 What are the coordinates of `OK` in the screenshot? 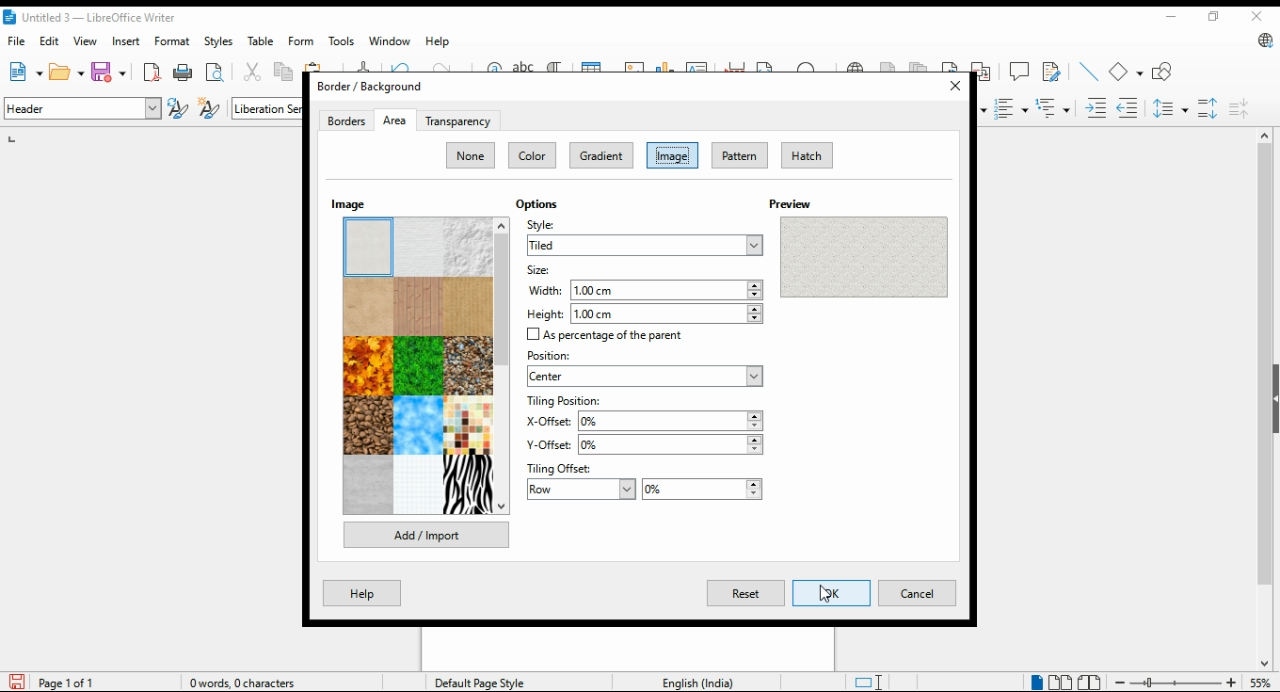 It's located at (832, 594).